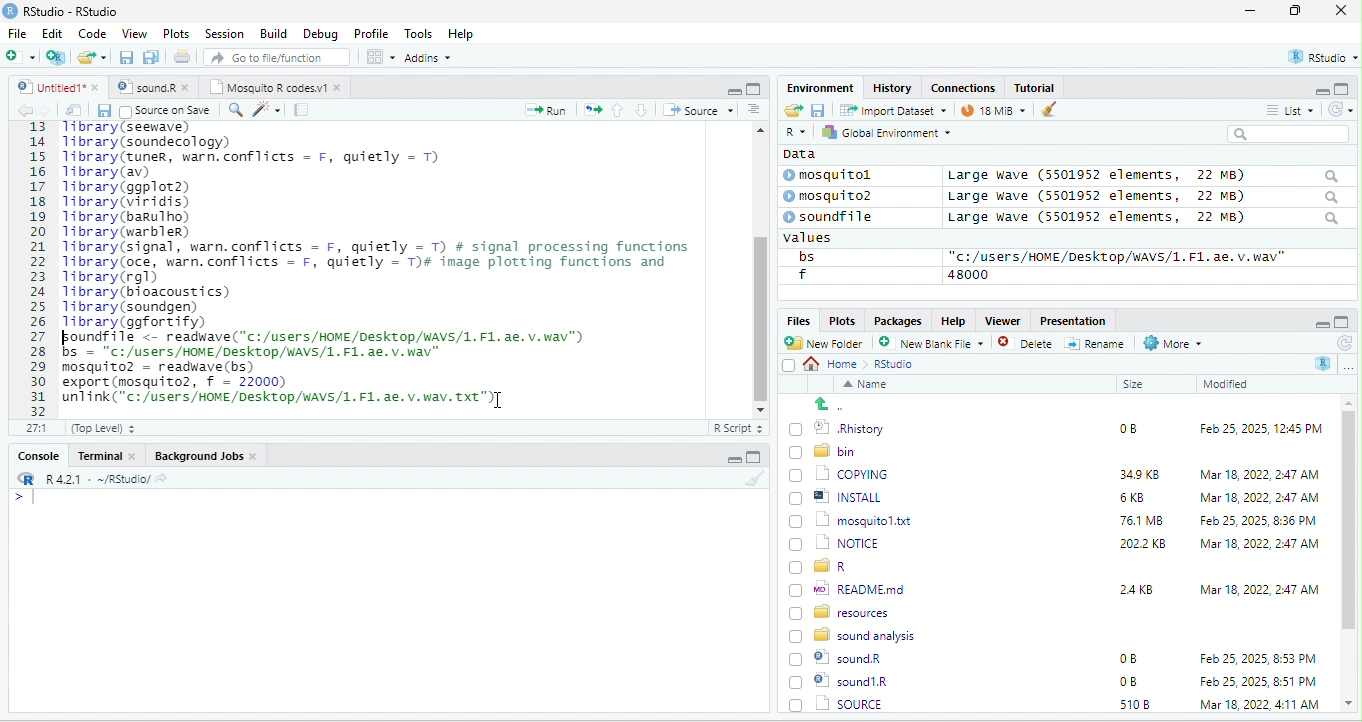 The width and height of the screenshot is (1362, 722). What do you see at coordinates (57, 57) in the screenshot?
I see `new project` at bounding box center [57, 57].